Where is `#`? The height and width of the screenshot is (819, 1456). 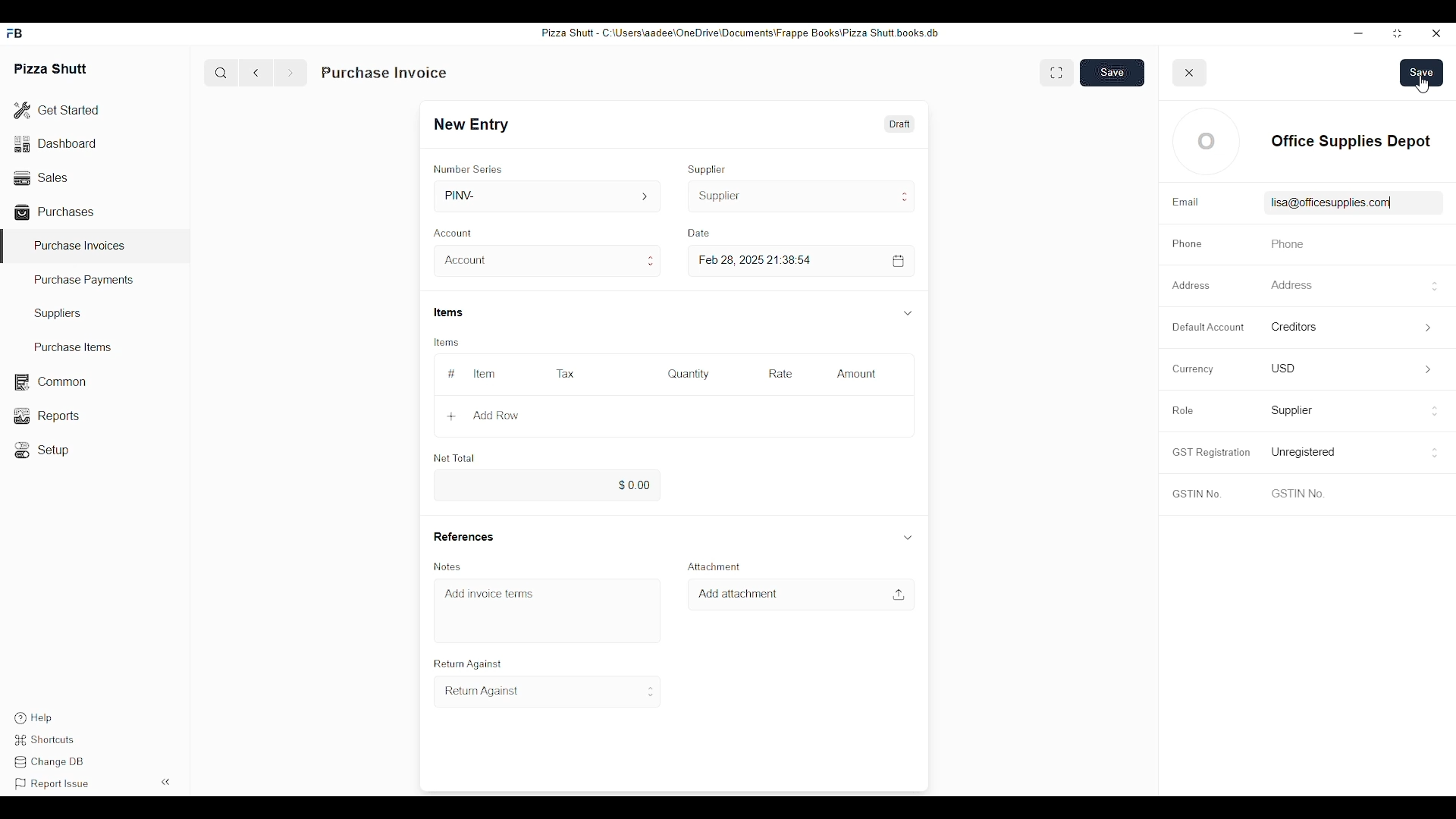 # is located at coordinates (452, 374).